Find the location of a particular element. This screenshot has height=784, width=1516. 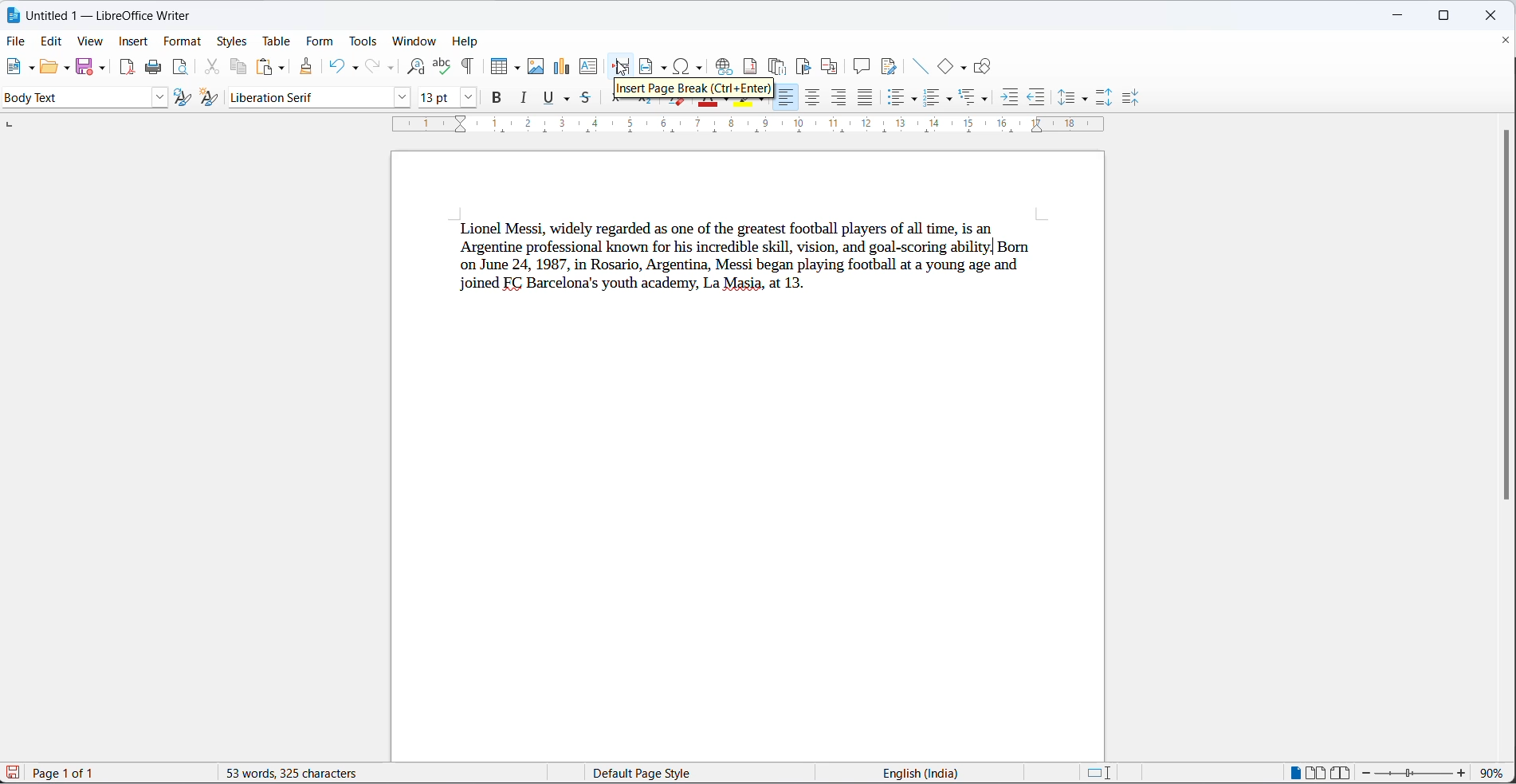

toggle ordered list  is located at coordinates (933, 97).